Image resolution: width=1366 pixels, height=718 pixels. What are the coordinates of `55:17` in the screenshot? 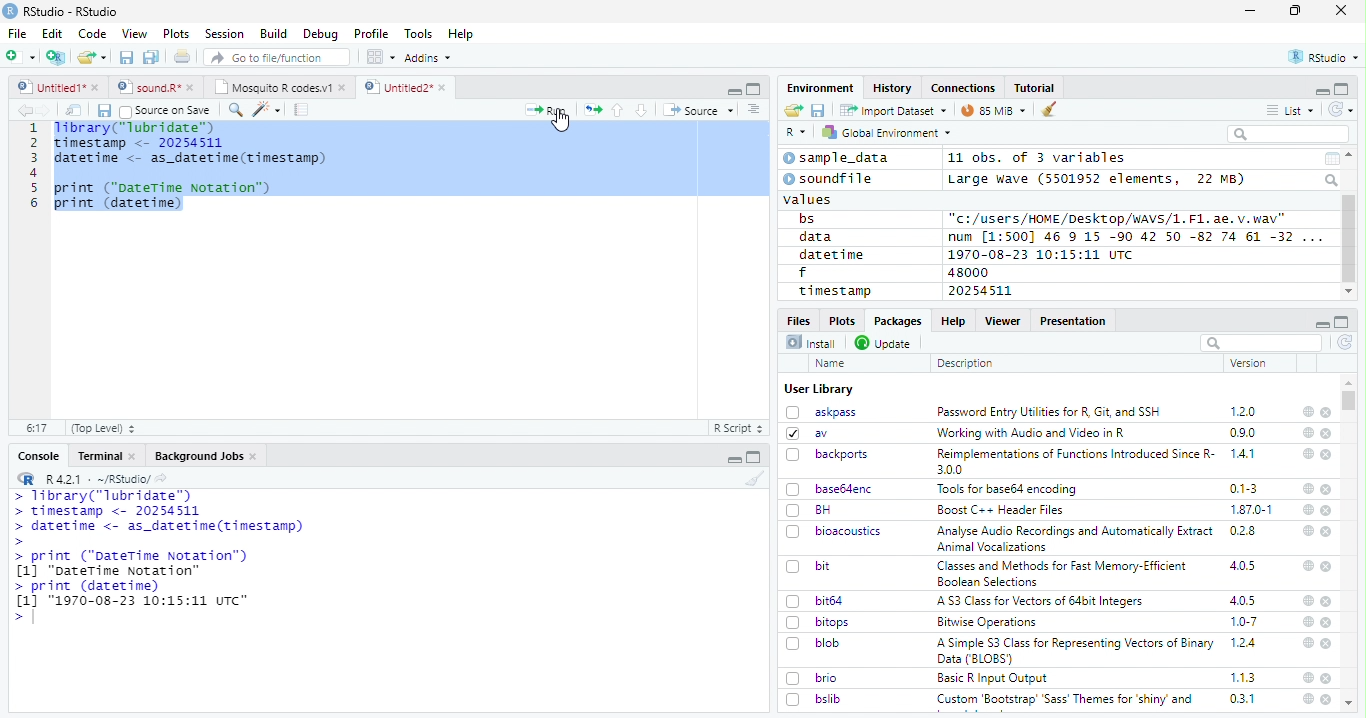 It's located at (38, 428).